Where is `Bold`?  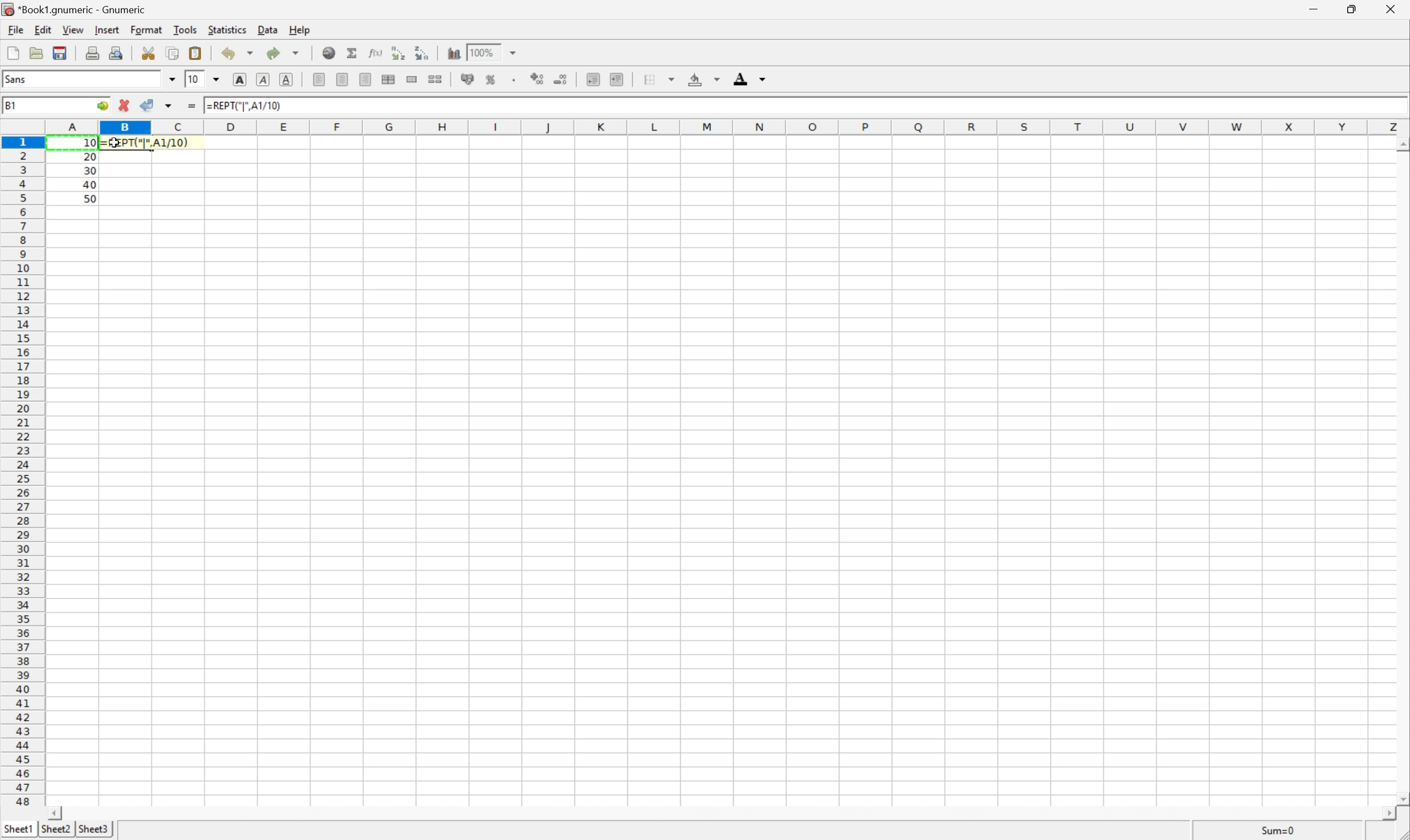 Bold is located at coordinates (240, 79).